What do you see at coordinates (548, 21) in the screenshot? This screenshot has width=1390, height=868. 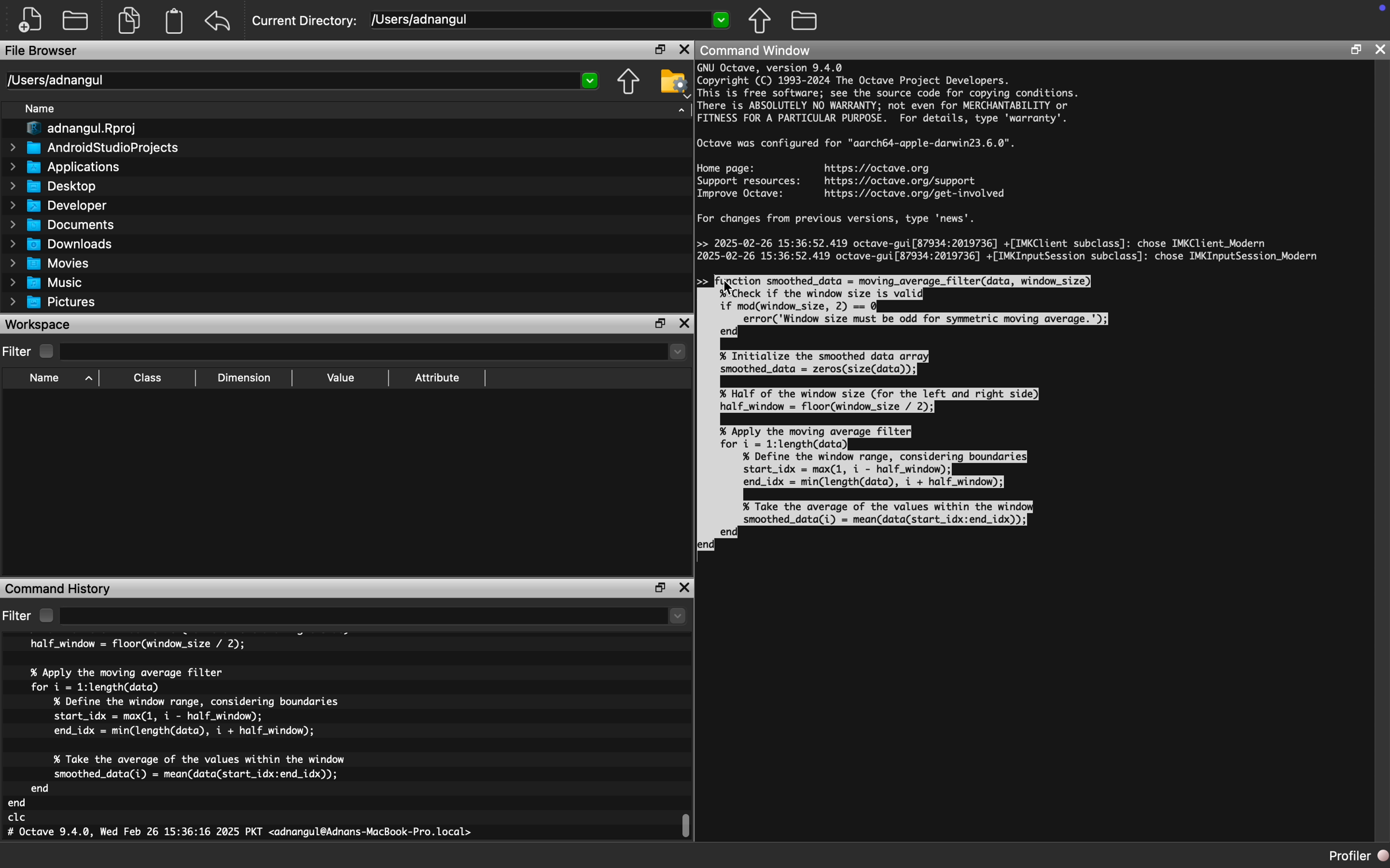 I see `/Users/adnangul ` at bounding box center [548, 21].